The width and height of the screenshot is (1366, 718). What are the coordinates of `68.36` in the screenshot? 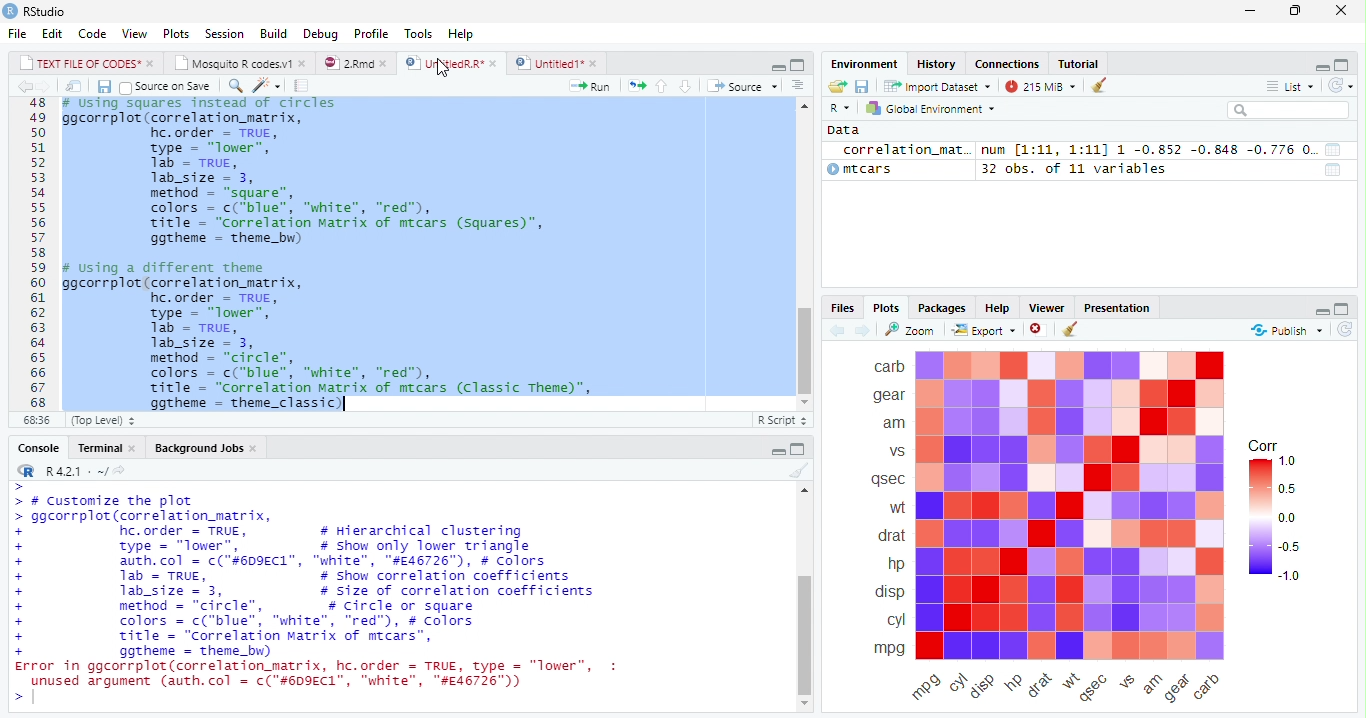 It's located at (34, 420).